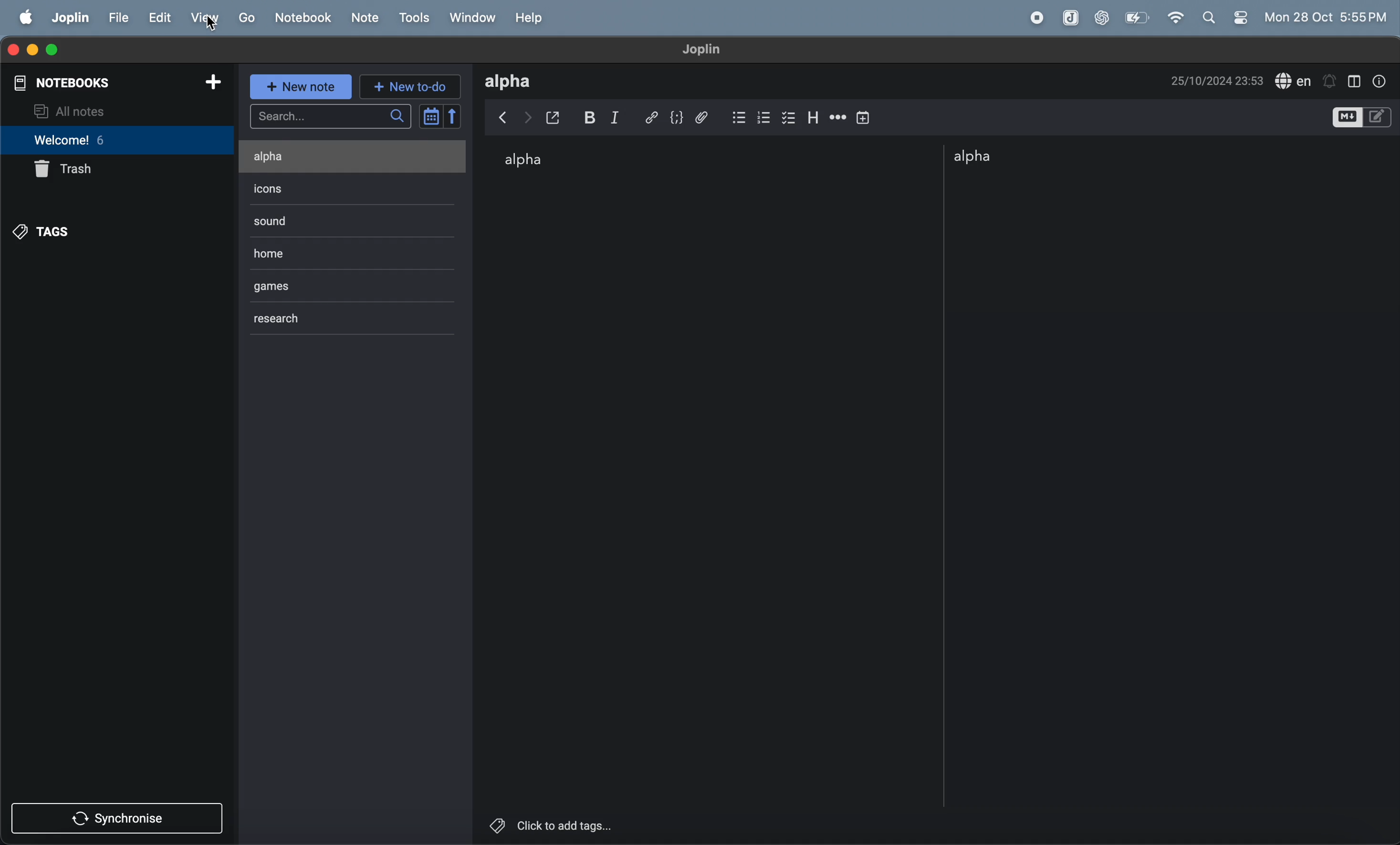 The width and height of the screenshot is (1400, 845). I want to click on wifi, so click(1177, 18).